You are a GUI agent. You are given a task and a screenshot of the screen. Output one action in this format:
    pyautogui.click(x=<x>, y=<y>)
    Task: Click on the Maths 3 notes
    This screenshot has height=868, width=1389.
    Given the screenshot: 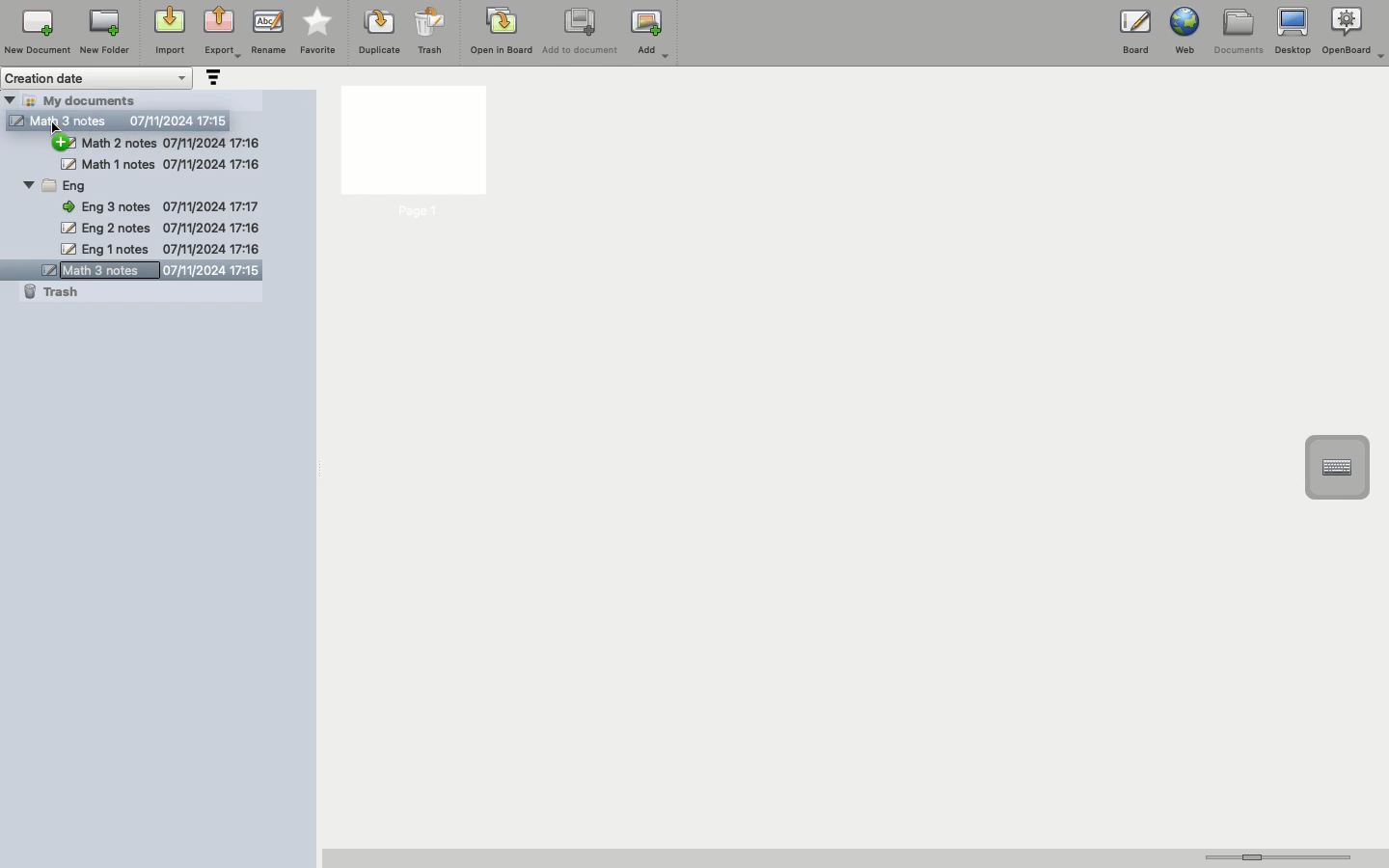 What is the action you would take?
    pyautogui.click(x=122, y=121)
    